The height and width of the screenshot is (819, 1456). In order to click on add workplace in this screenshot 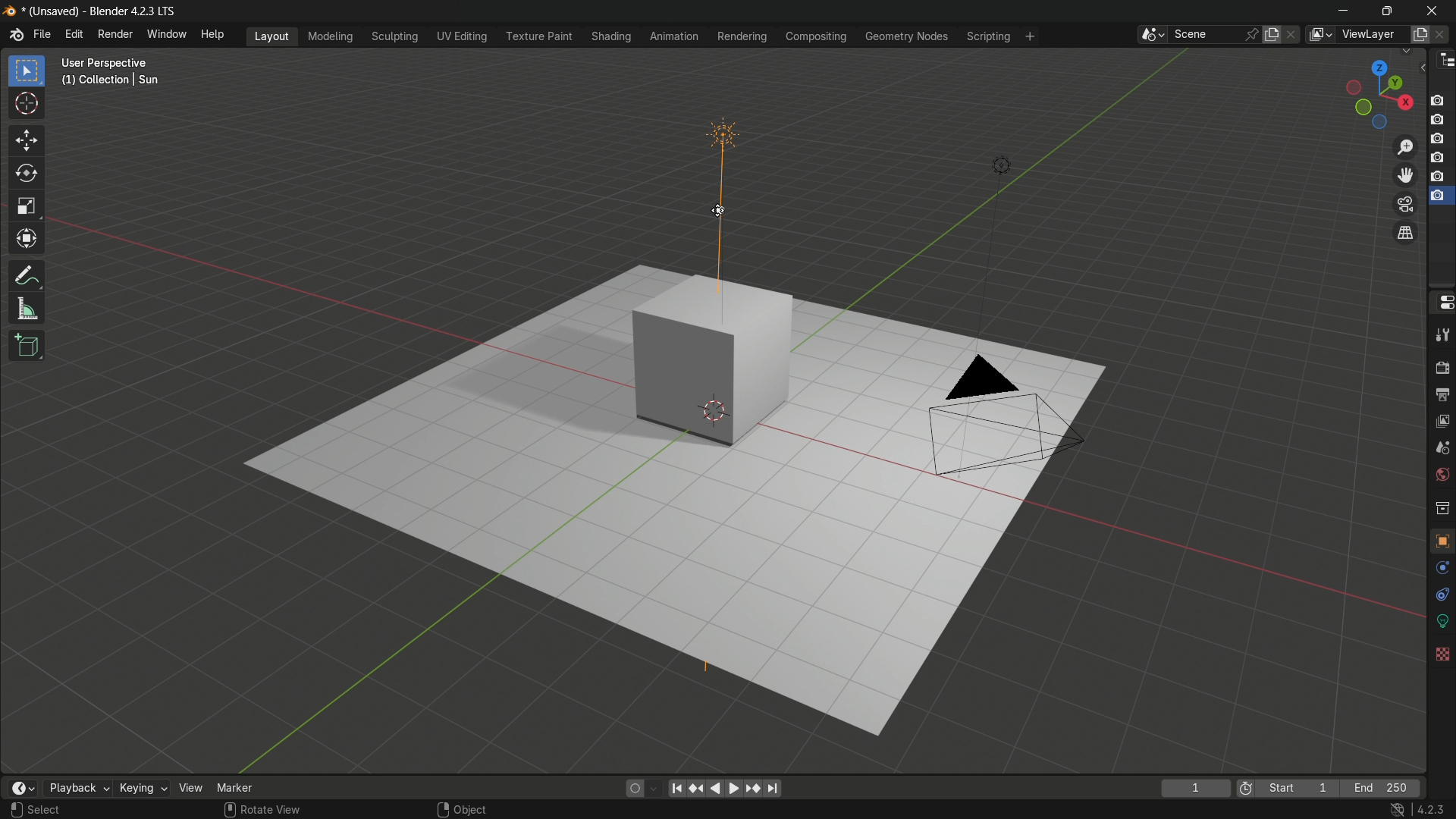, I will do `click(1031, 36)`.